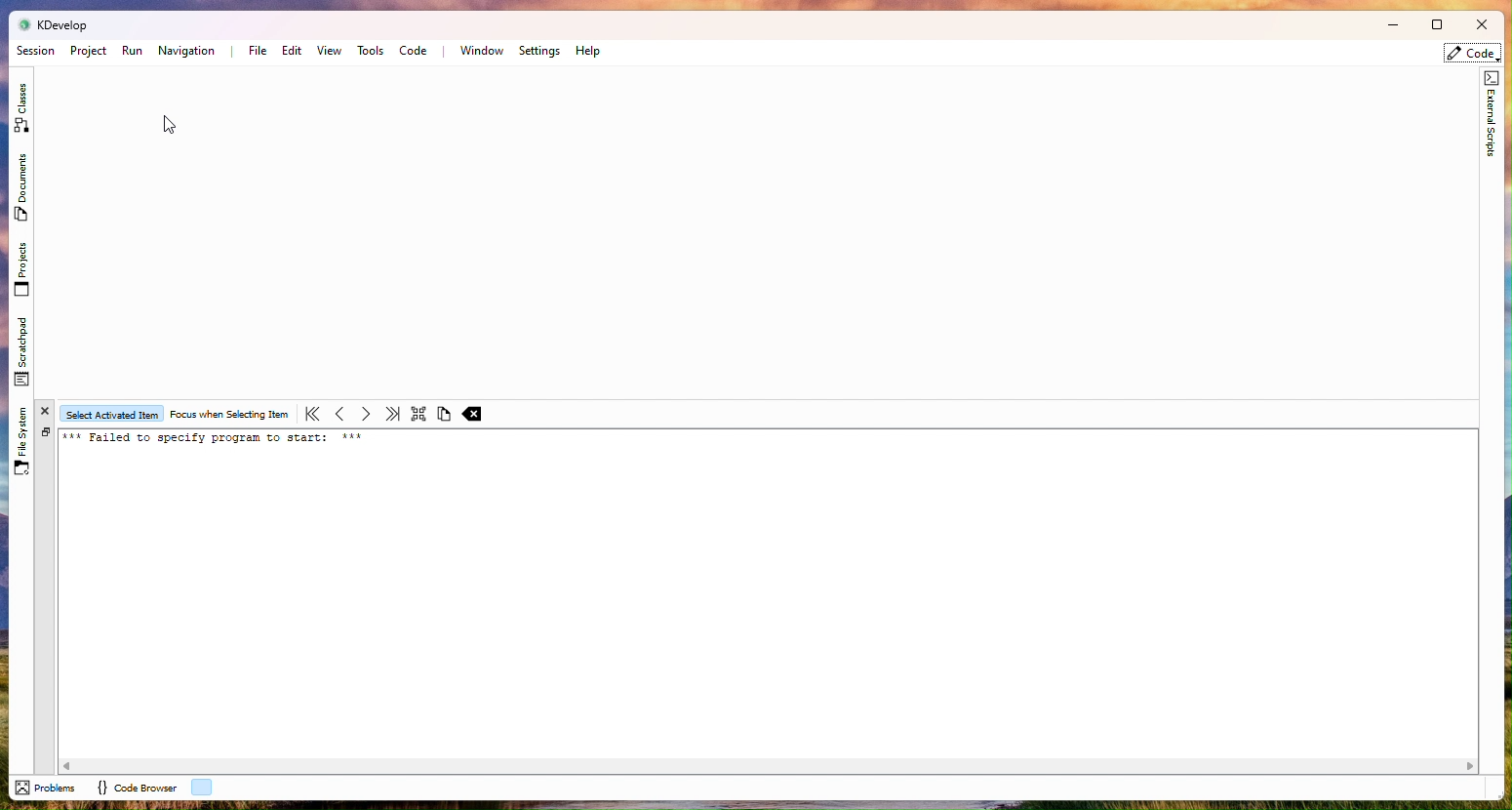 This screenshot has width=1512, height=810. I want to click on cursor, so click(170, 124).